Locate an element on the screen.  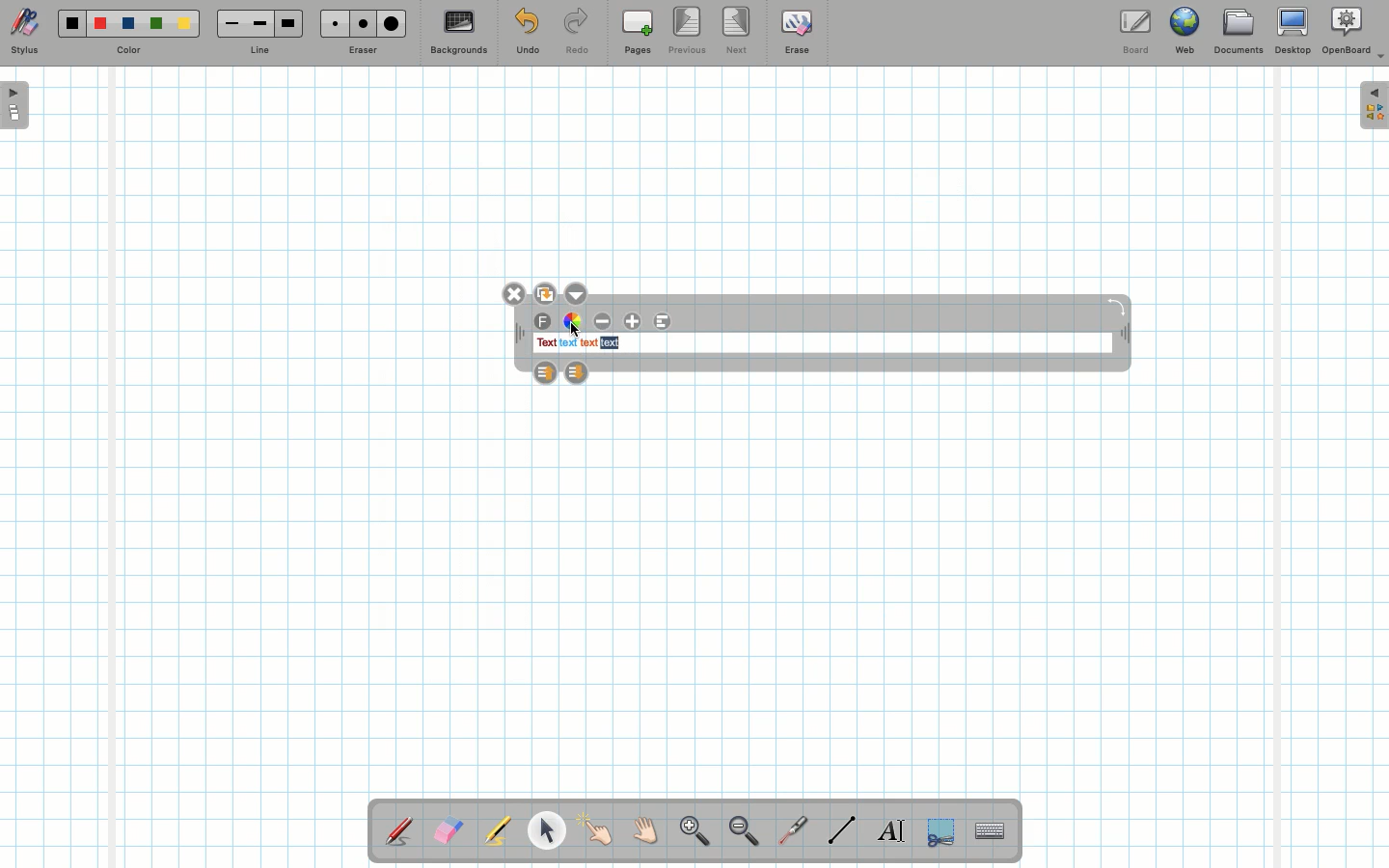
Options is located at coordinates (581, 292).